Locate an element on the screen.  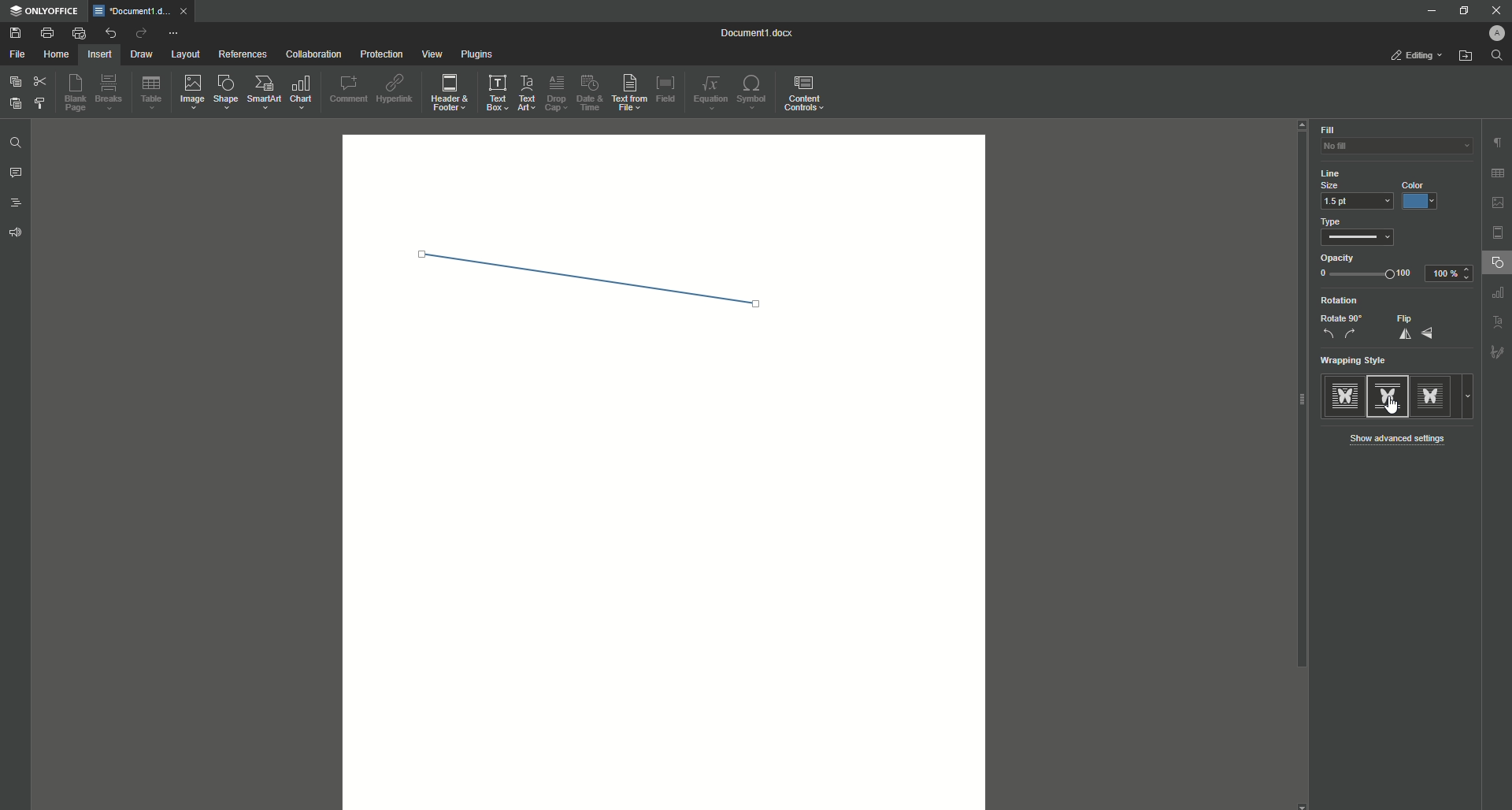
Text Art is located at coordinates (528, 92).